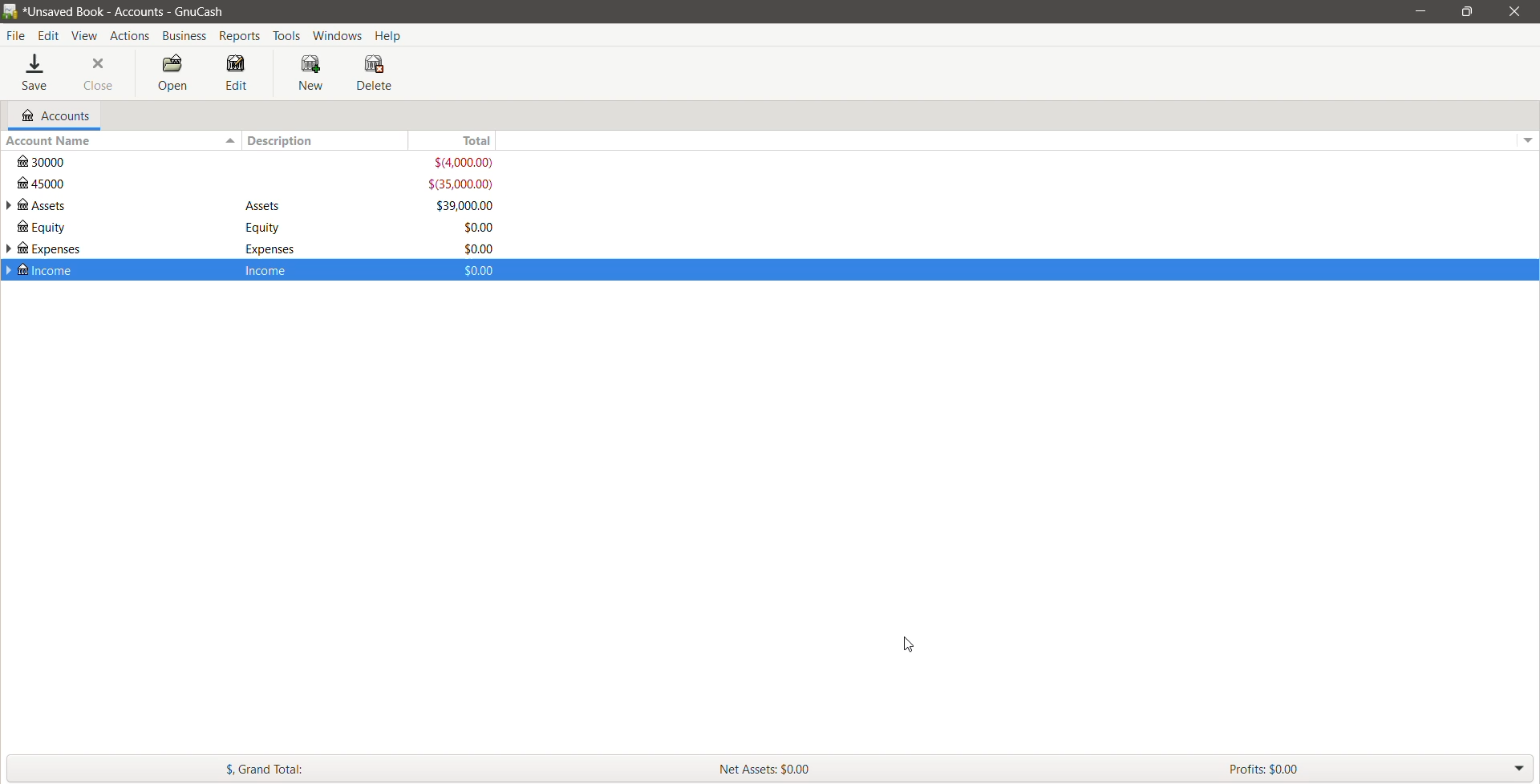  What do you see at coordinates (241, 36) in the screenshot?
I see `Reports` at bounding box center [241, 36].